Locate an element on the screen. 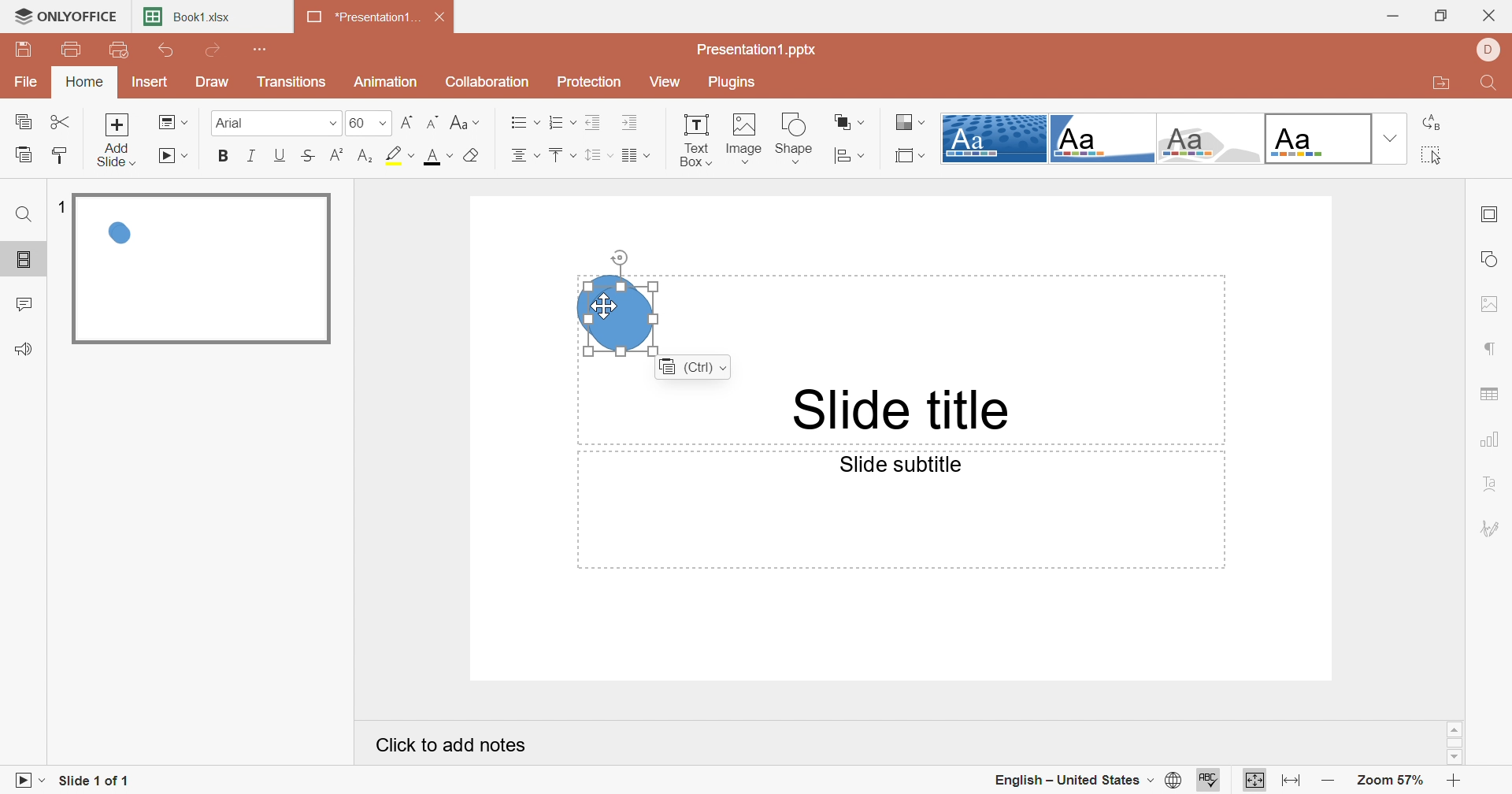  Slide title is located at coordinates (903, 410).